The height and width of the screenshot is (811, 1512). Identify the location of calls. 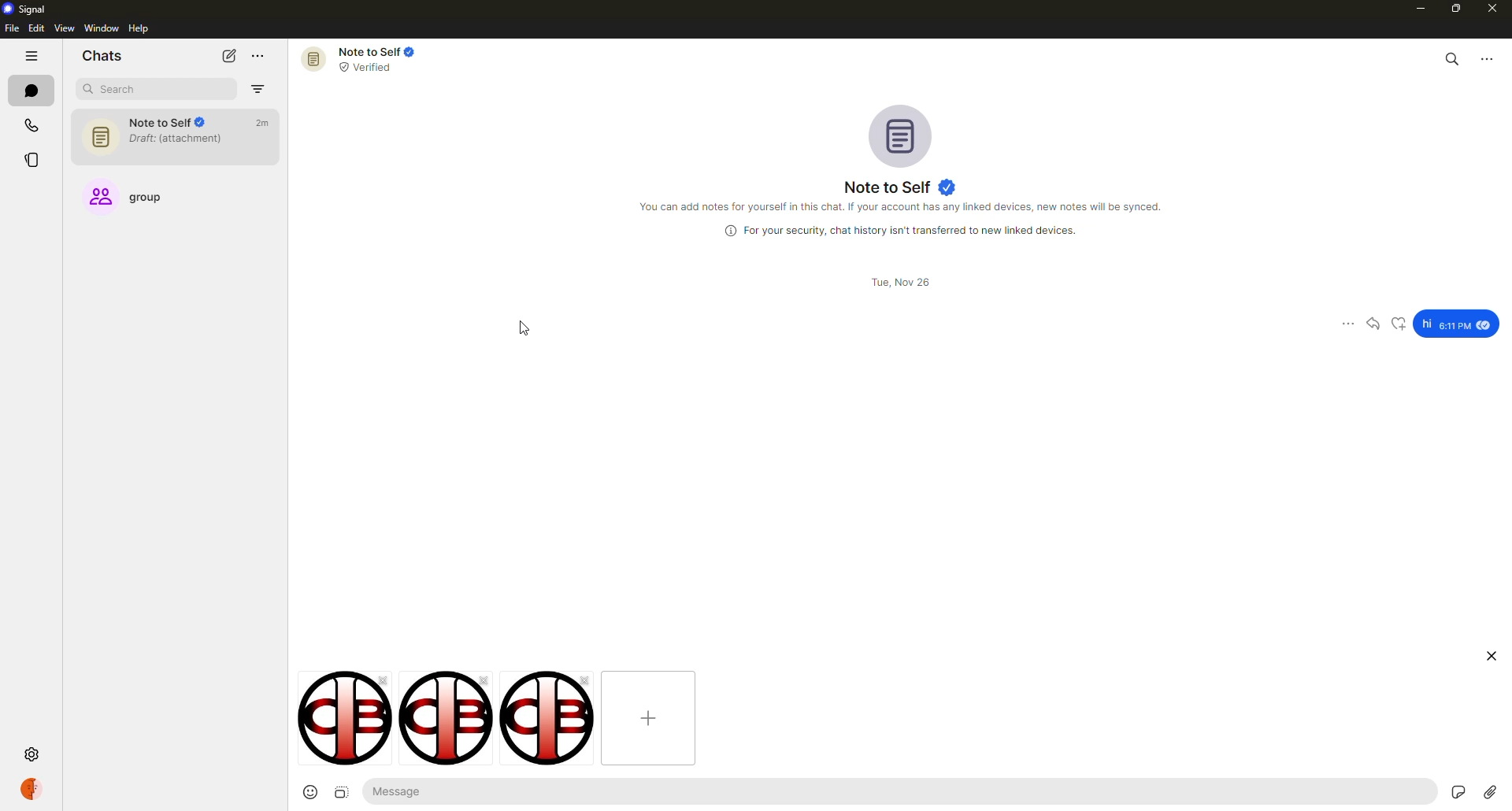
(27, 124).